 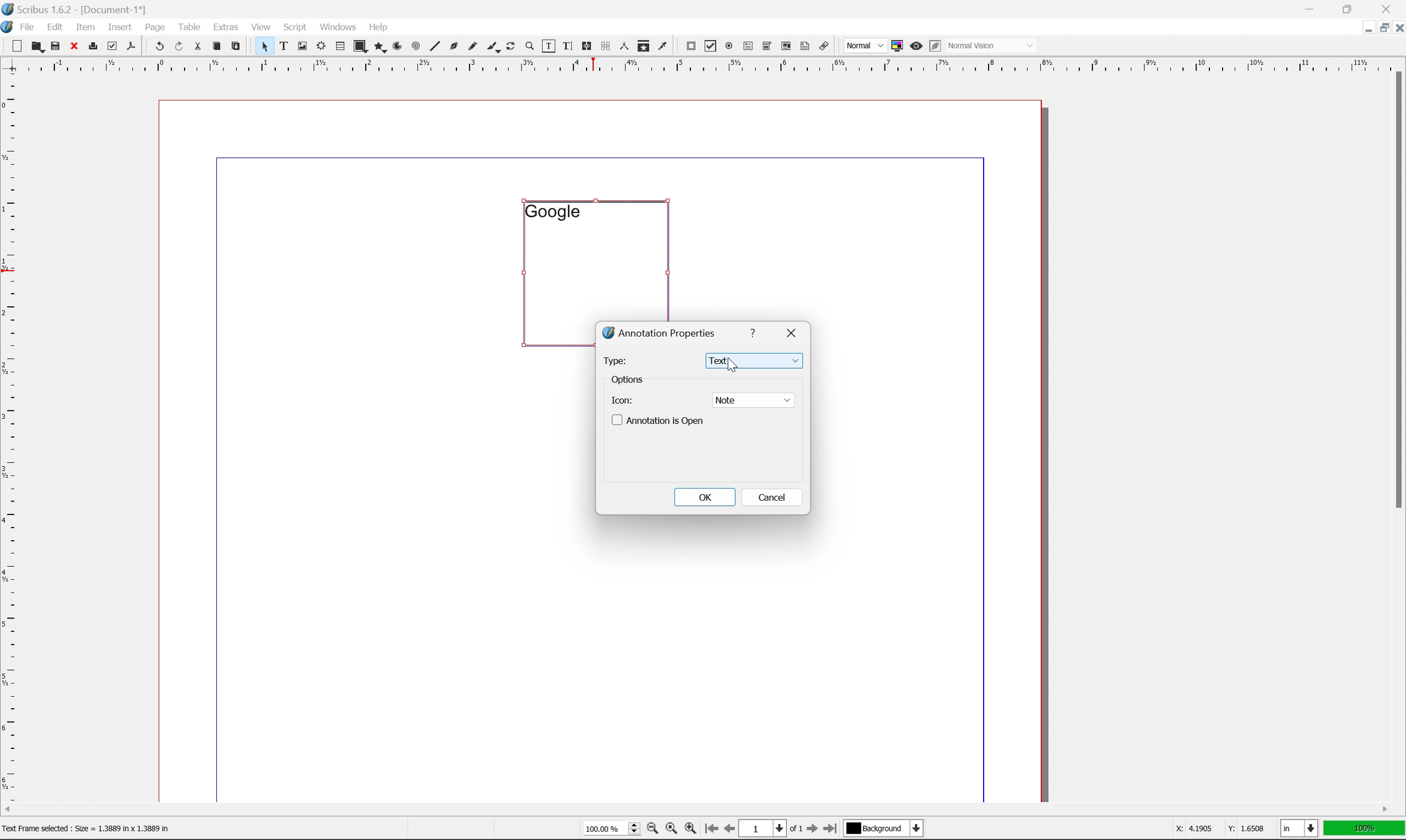 What do you see at coordinates (670, 830) in the screenshot?
I see `zoom to 100%` at bounding box center [670, 830].